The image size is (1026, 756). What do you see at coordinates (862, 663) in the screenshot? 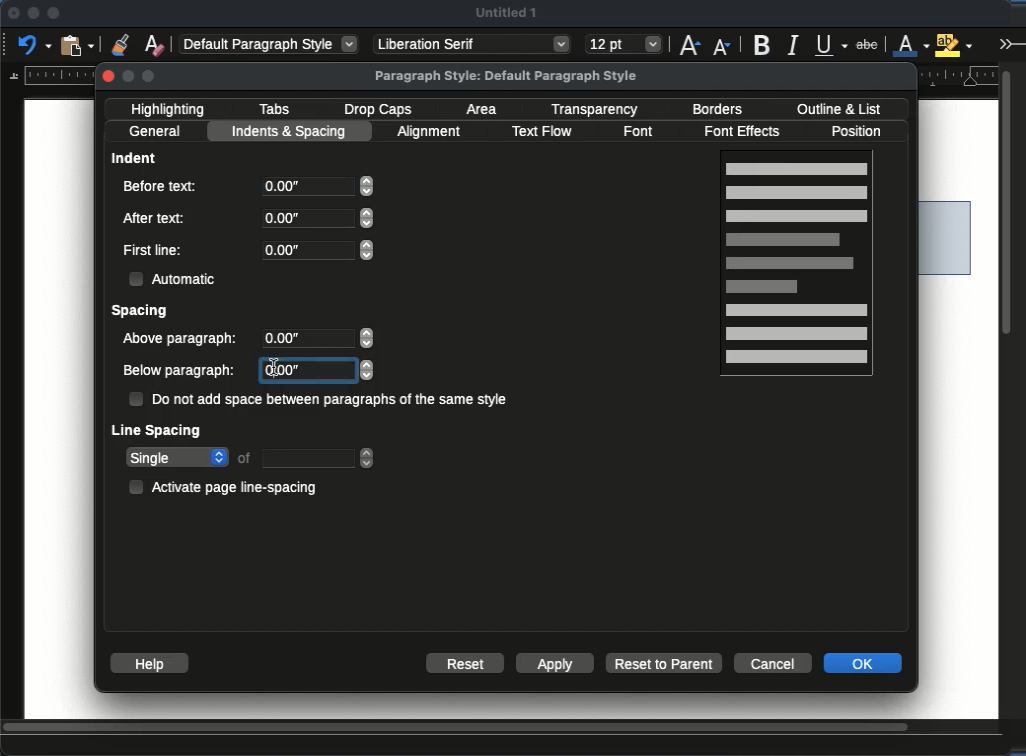
I see `ok` at bounding box center [862, 663].